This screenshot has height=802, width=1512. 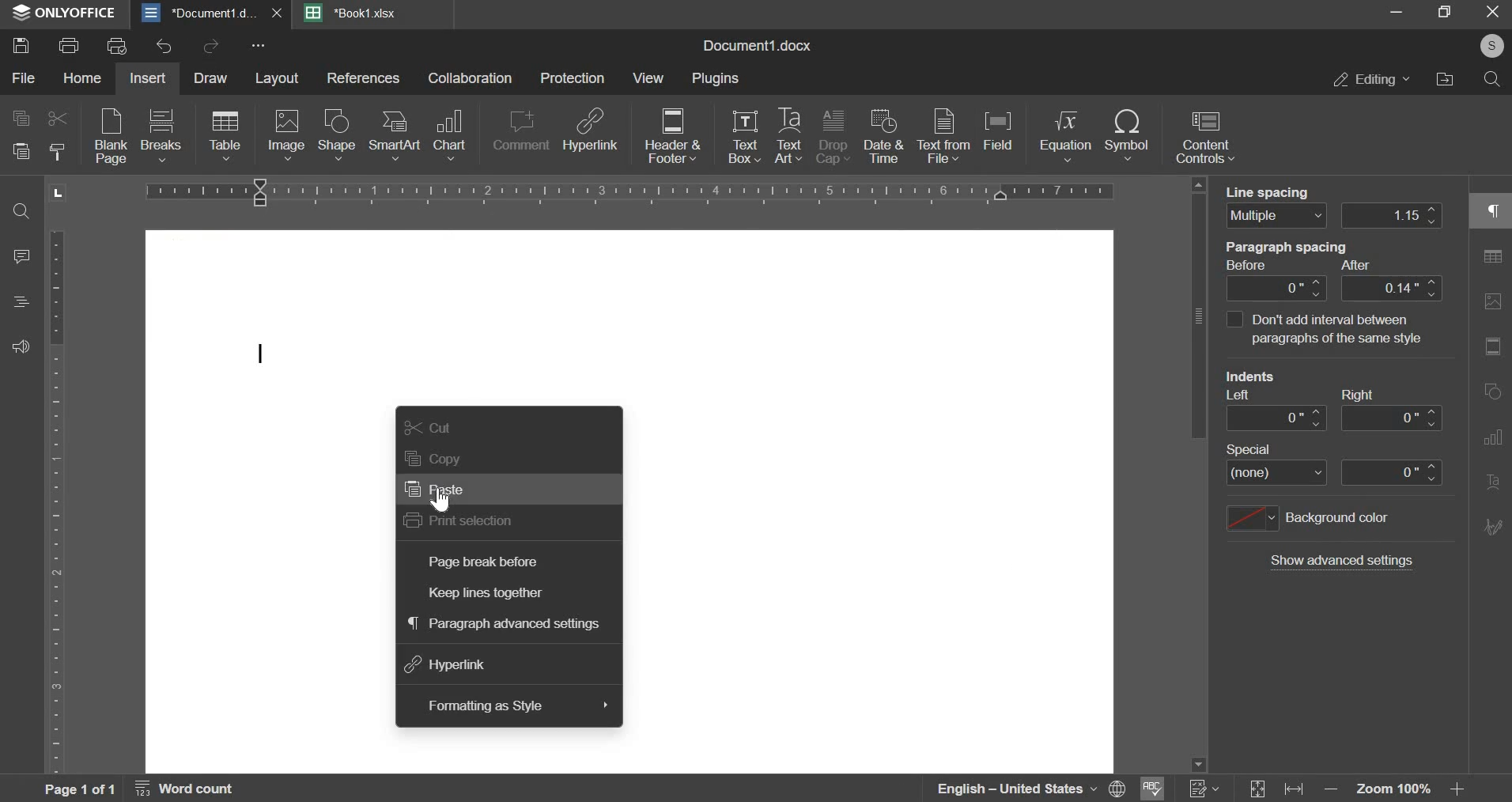 What do you see at coordinates (1365, 82) in the screenshot?
I see `editing` at bounding box center [1365, 82].